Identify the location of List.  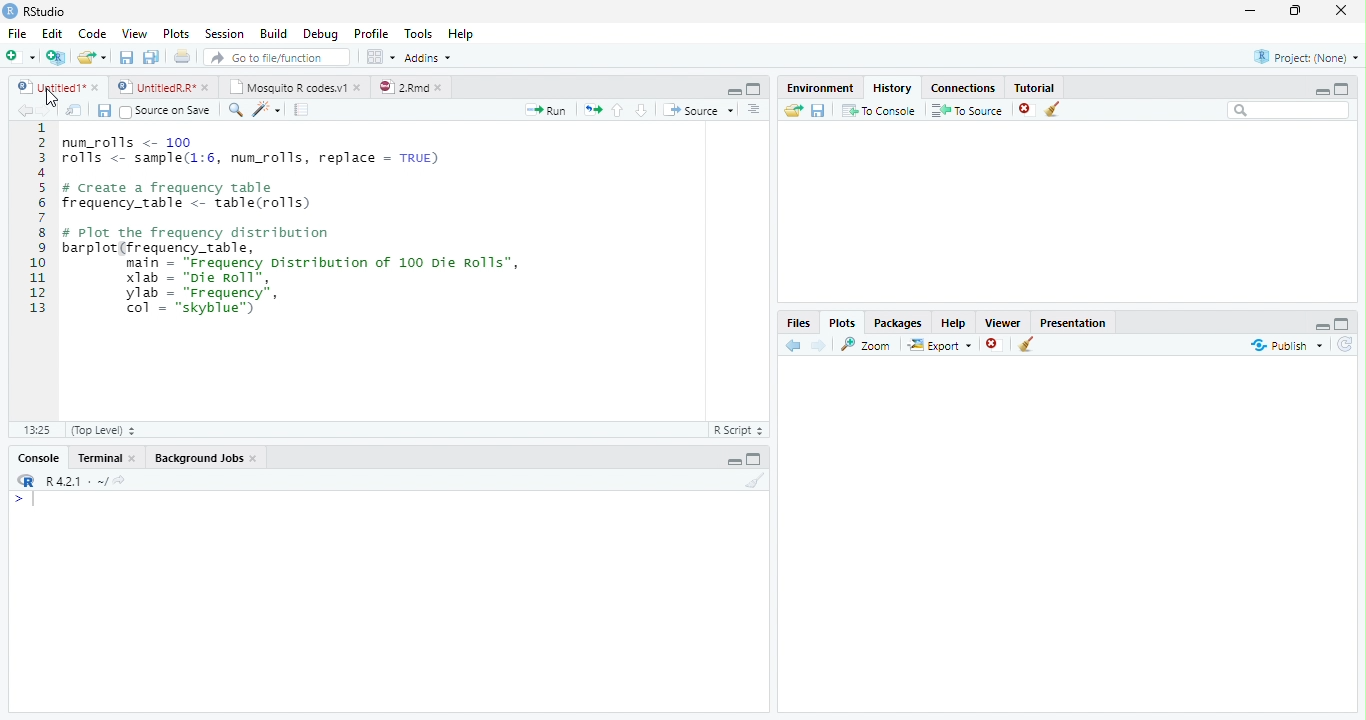
(756, 111).